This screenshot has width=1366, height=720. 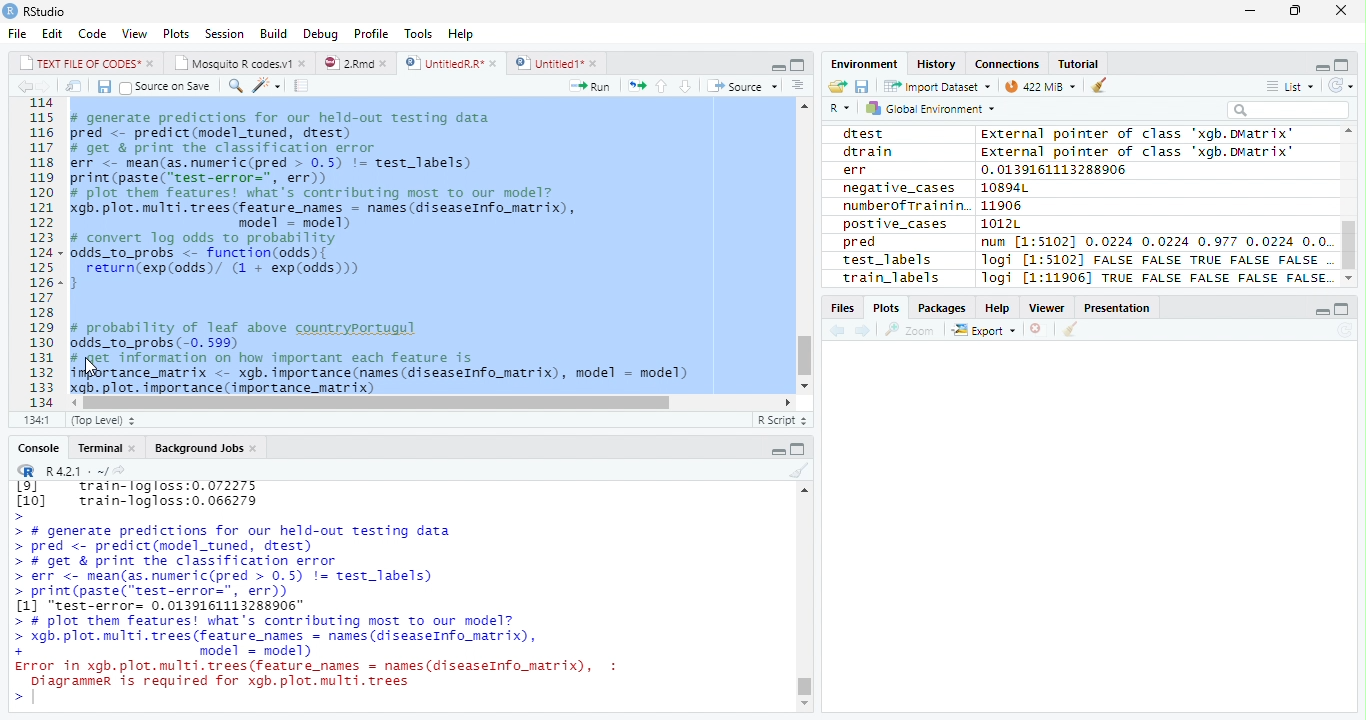 I want to click on  Untitled1* , so click(x=557, y=62).